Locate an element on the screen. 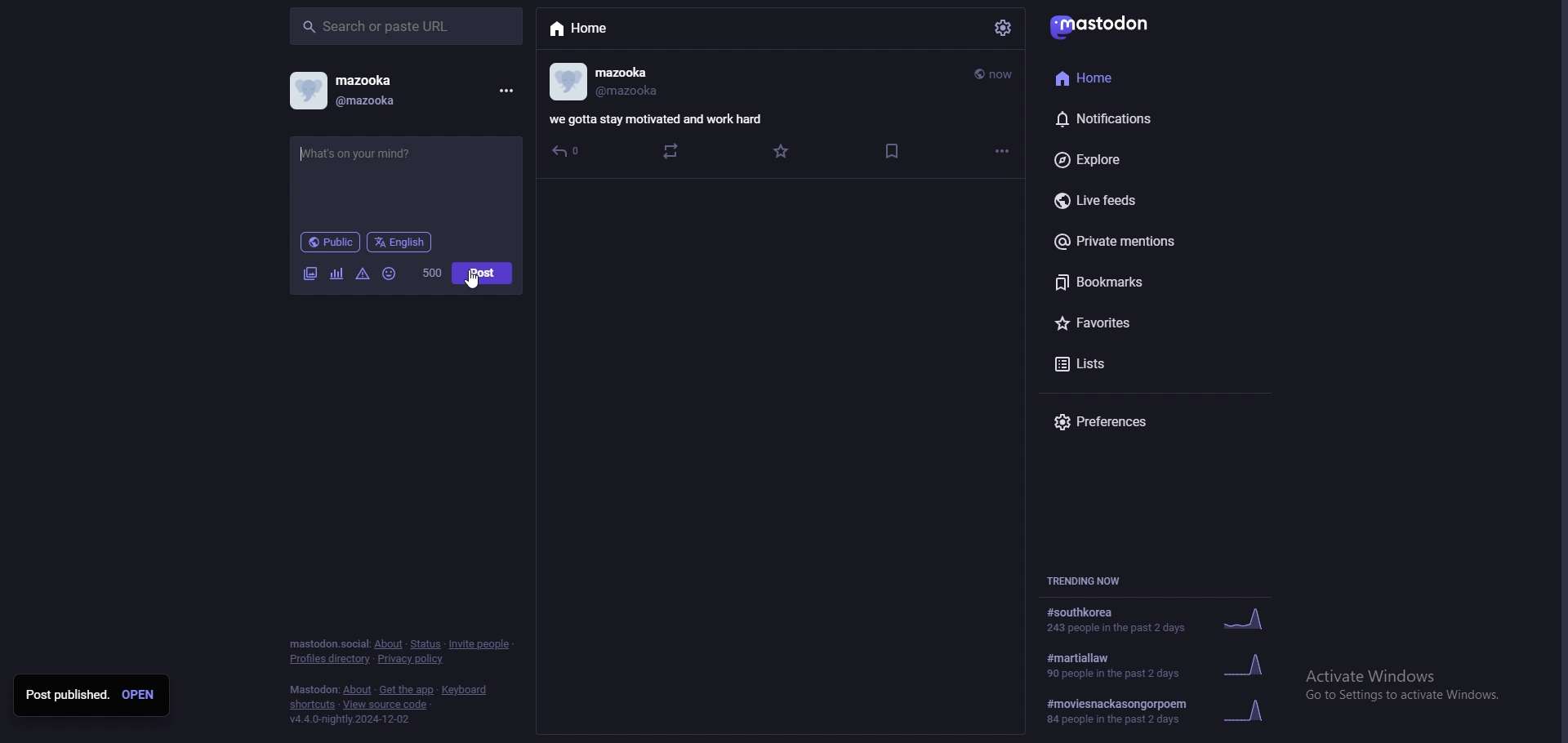 The width and height of the screenshot is (1568, 743). image is located at coordinates (310, 273).